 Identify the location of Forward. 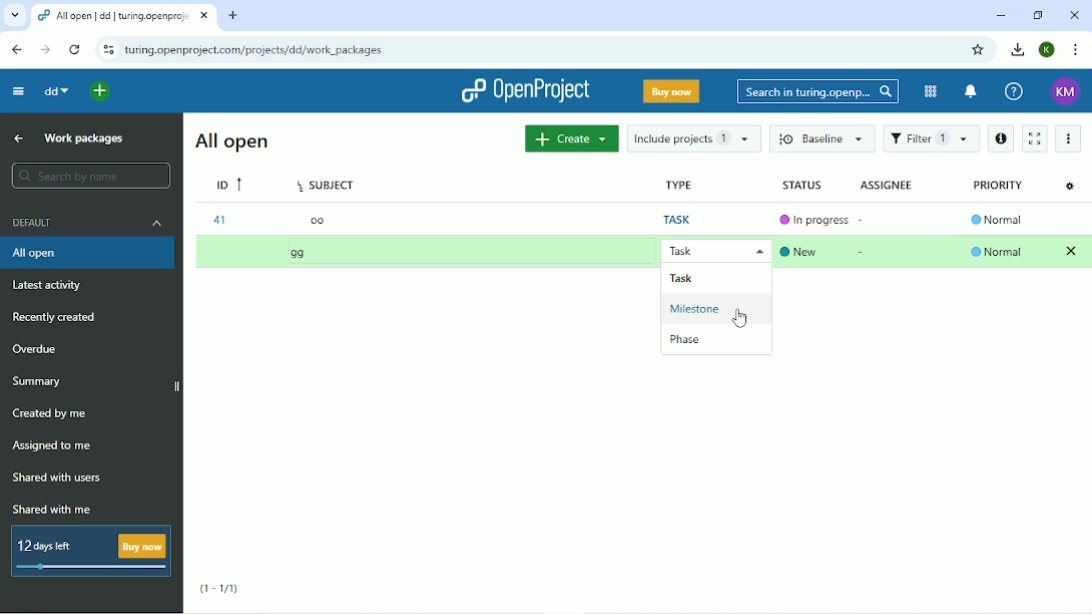
(46, 49).